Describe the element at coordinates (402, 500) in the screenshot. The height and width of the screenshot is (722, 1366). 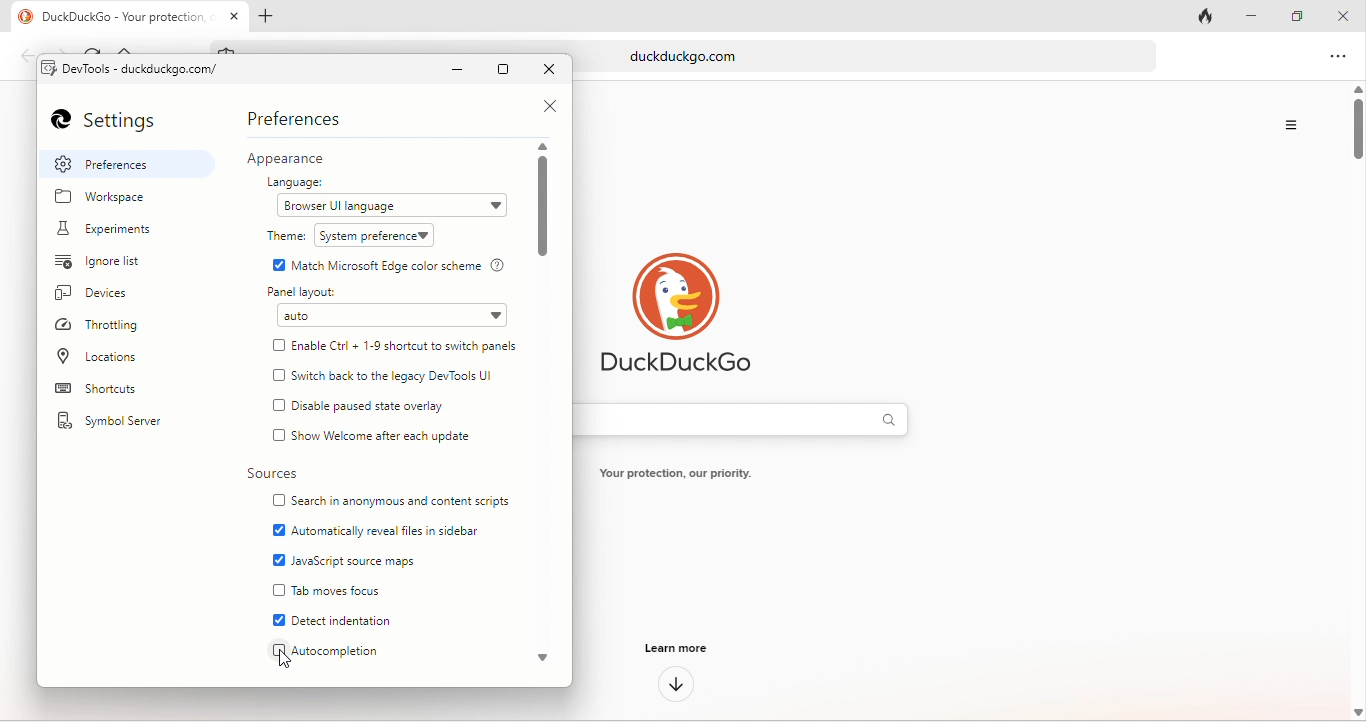
I see `search in anonymous and content scripts` at that location.